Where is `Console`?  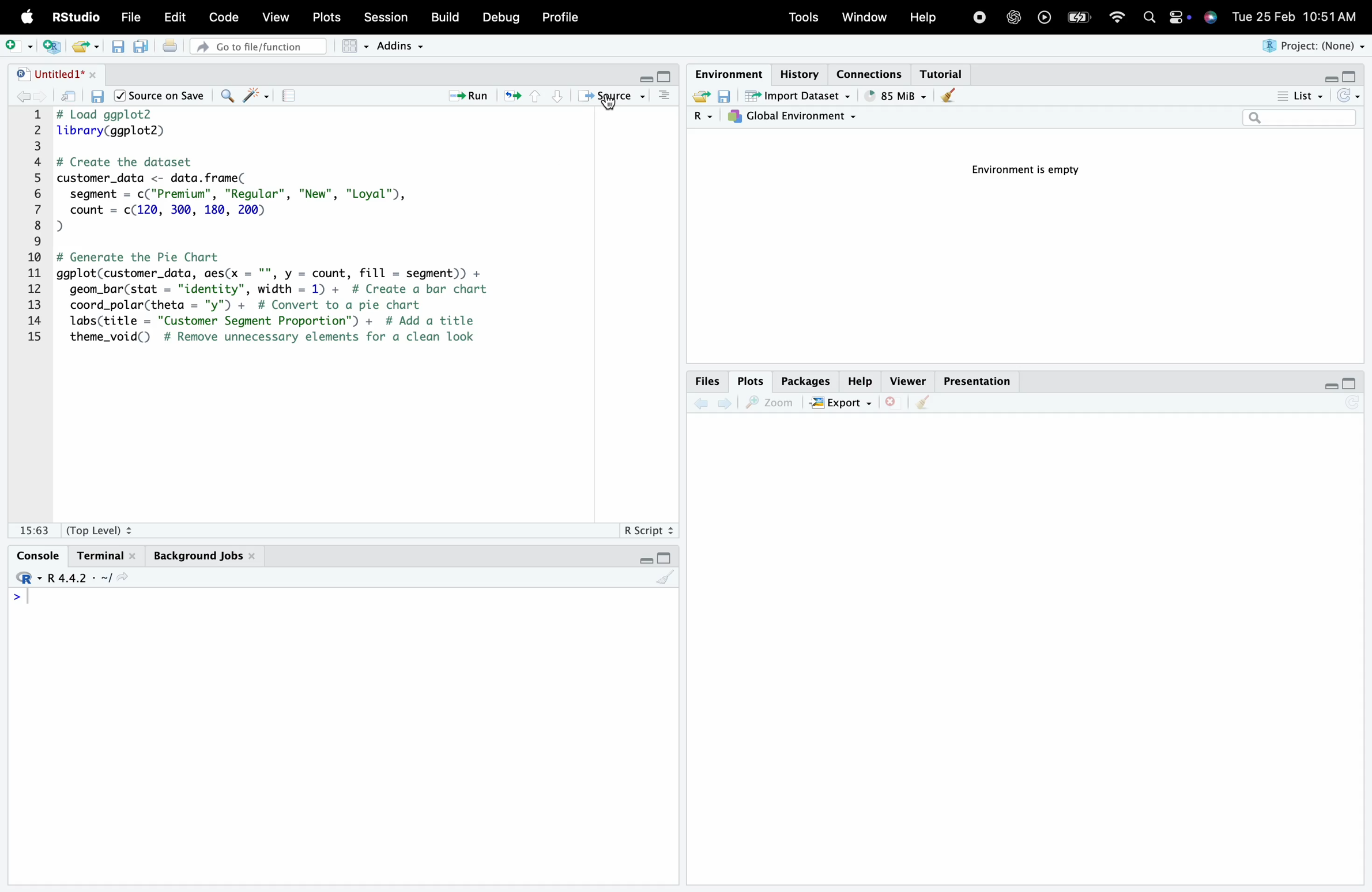
Console is located at coordinates (38, 551).